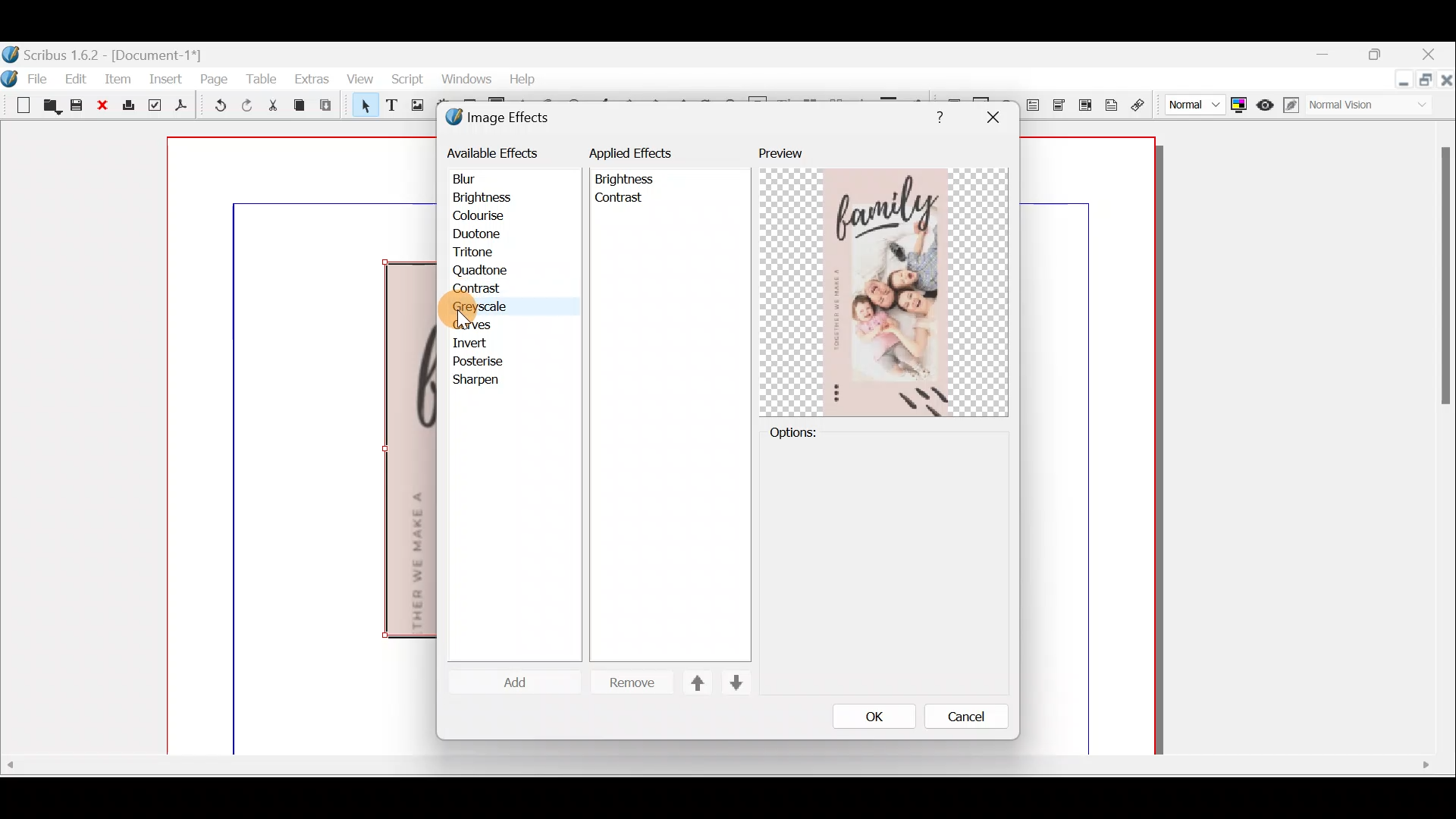 This screenshot has height=819, width=1456. I want to click on Close, so click(1446, 81).